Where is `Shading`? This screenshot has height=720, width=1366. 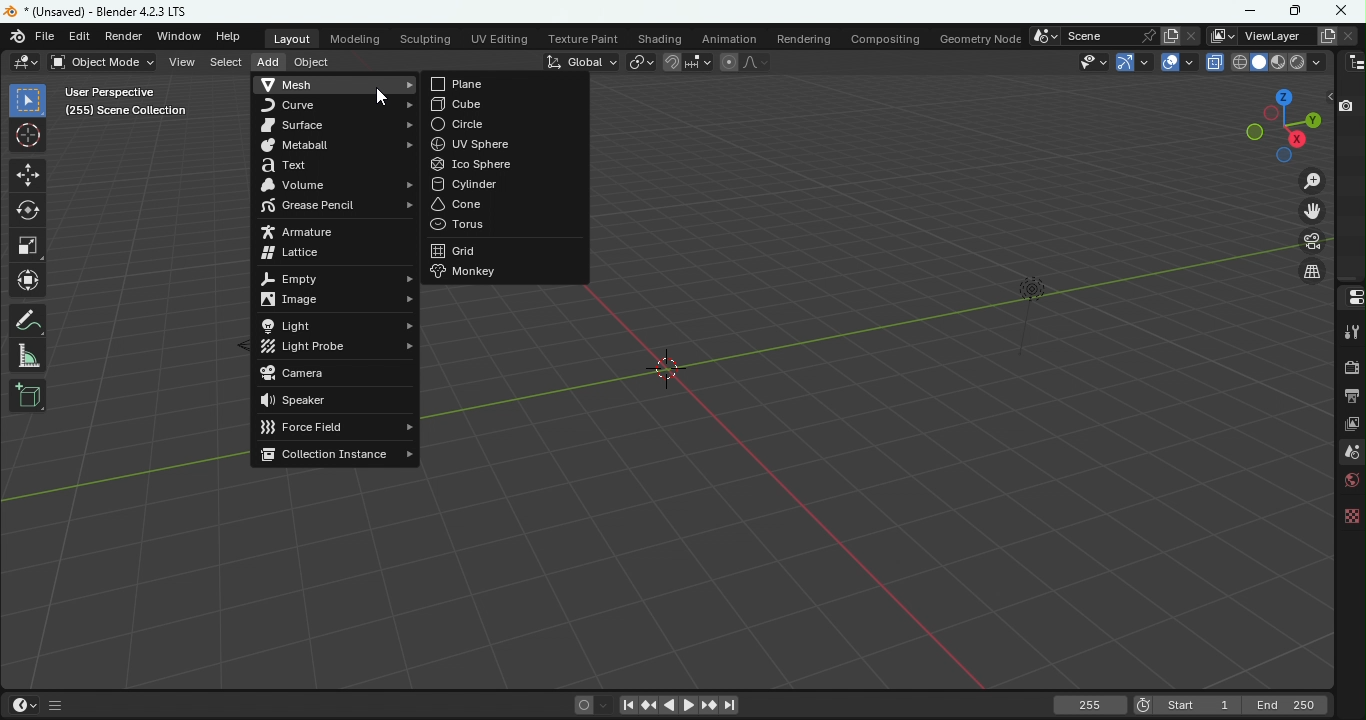
Shading is located at coordinates (1317, 62).